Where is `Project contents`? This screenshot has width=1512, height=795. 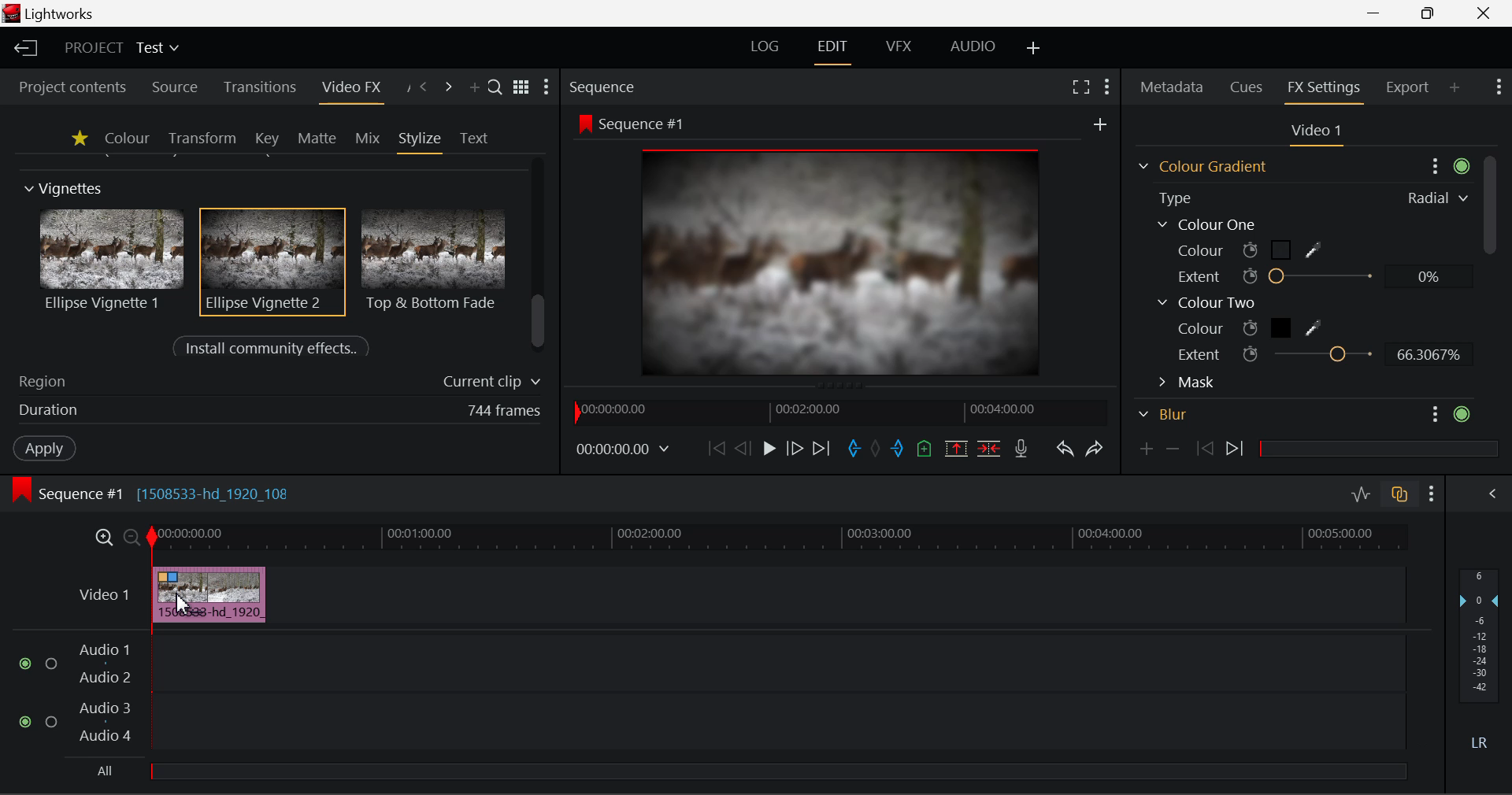
Project contents is located at coordinates (72, 87).